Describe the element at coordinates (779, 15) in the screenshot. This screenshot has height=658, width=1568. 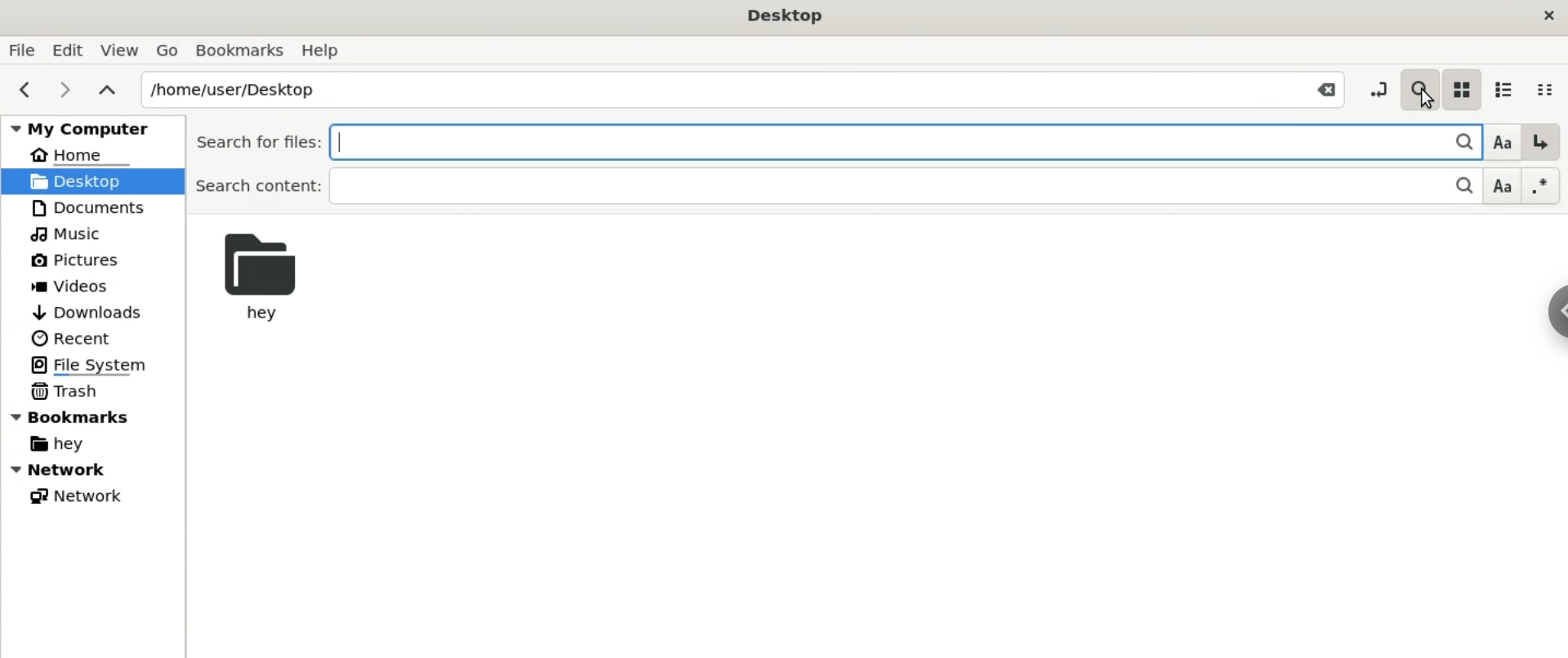
I see `Desktop` at that location.